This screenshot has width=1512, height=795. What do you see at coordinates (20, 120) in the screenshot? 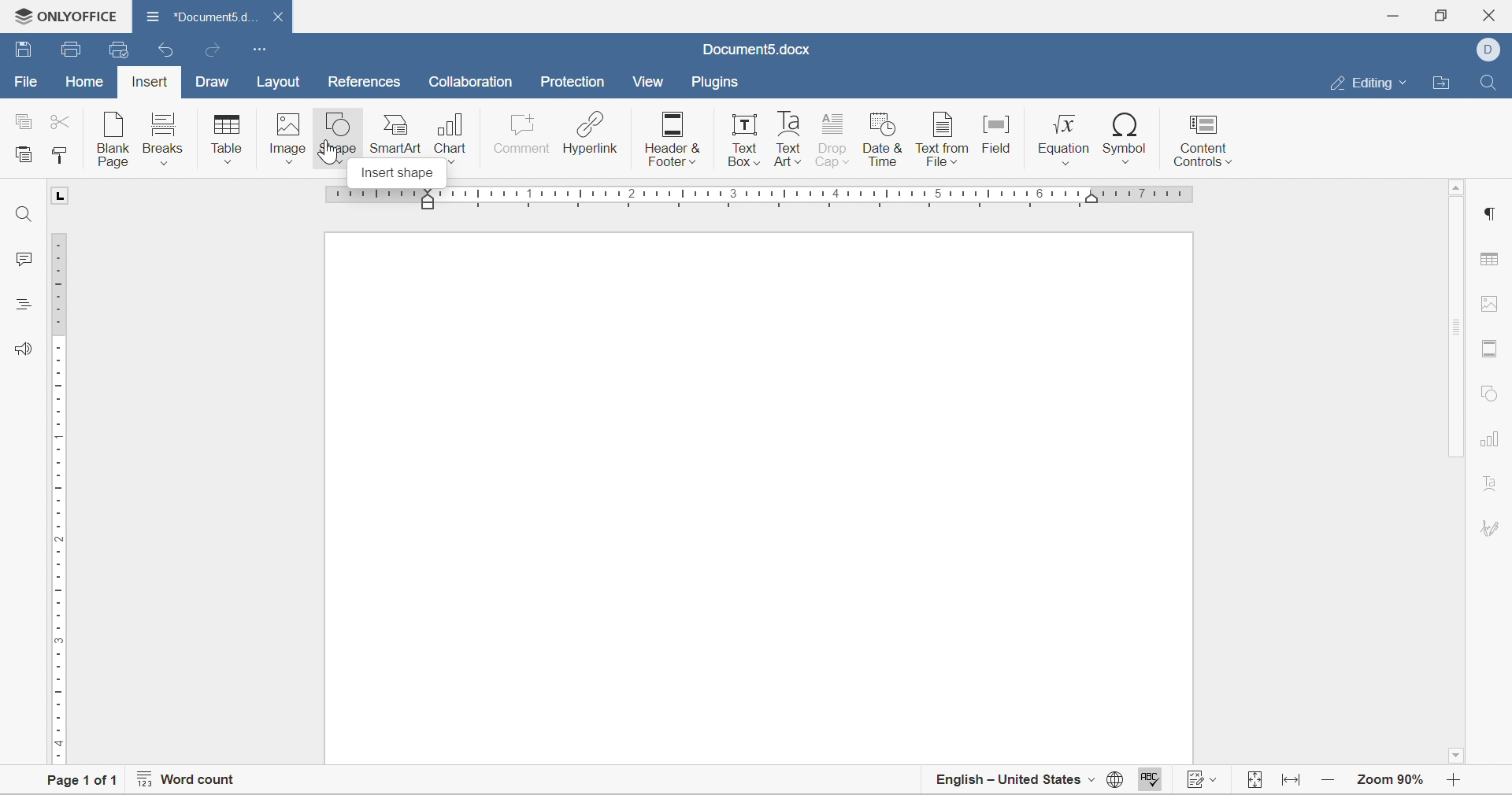
I see `copy` at bounding box center [20, 120].